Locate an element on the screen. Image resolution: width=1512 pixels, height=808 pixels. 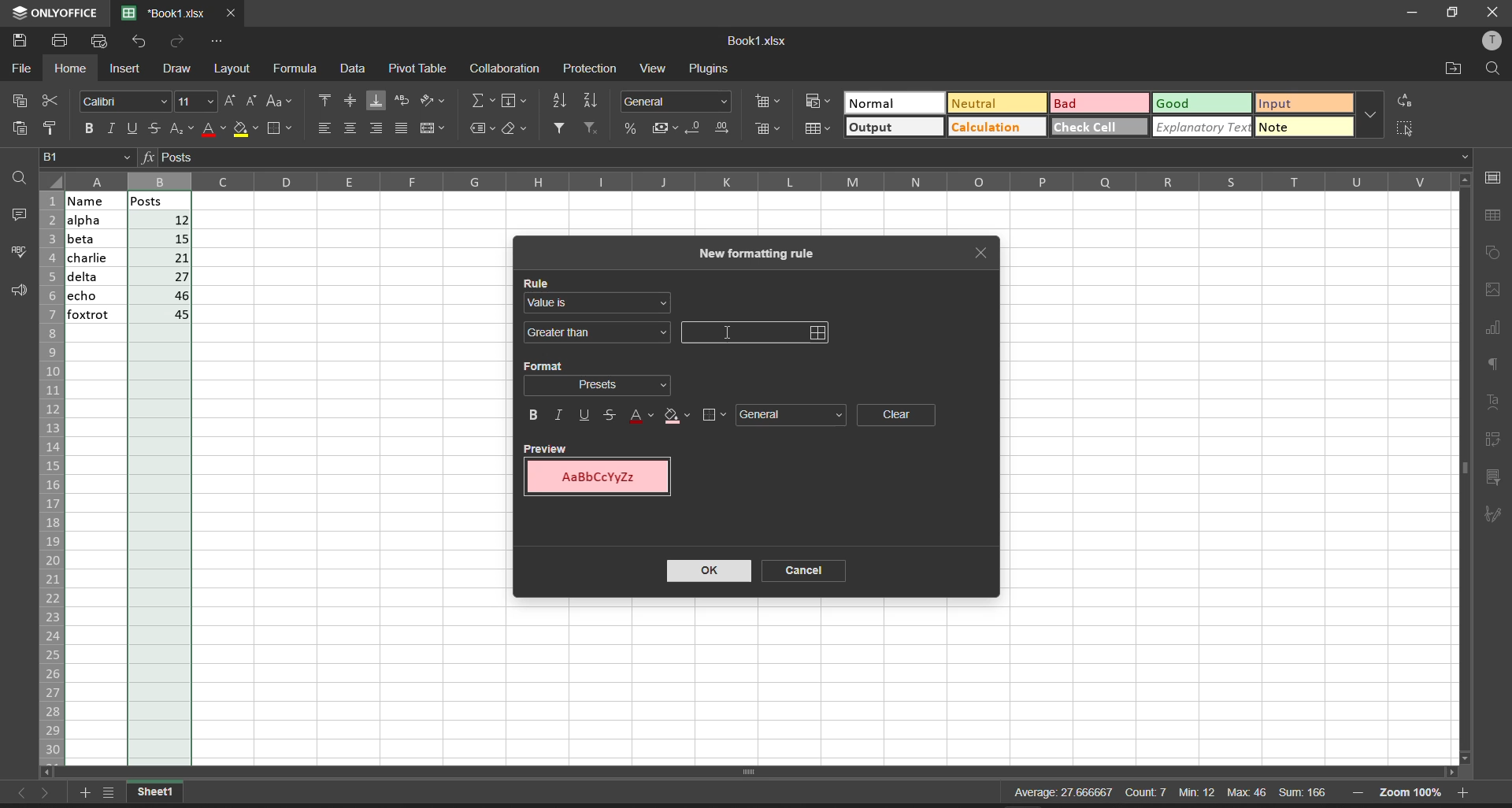
text color is located at coordinates (642, 417).